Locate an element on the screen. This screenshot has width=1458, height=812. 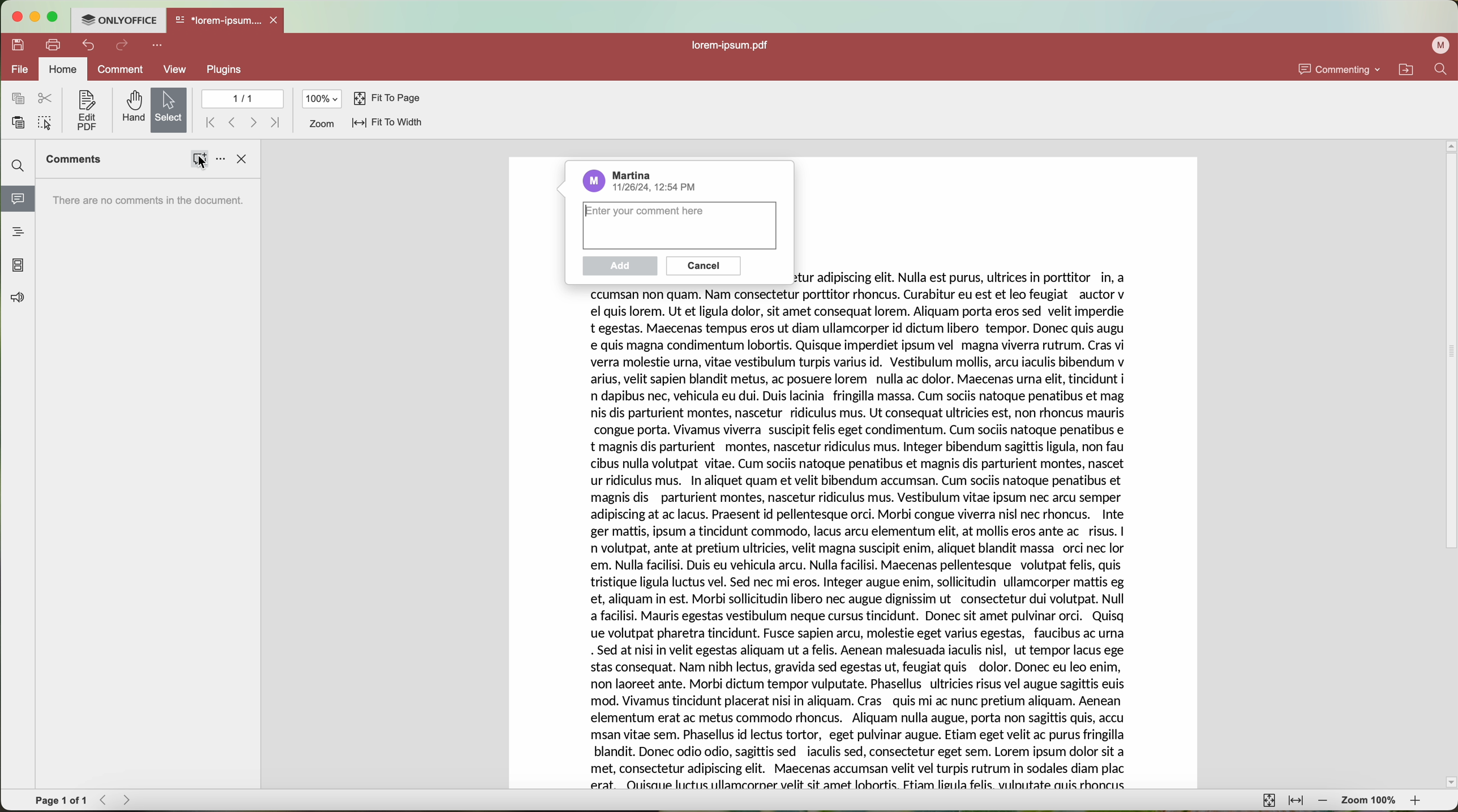
cut is located at coordinates (48, 98).